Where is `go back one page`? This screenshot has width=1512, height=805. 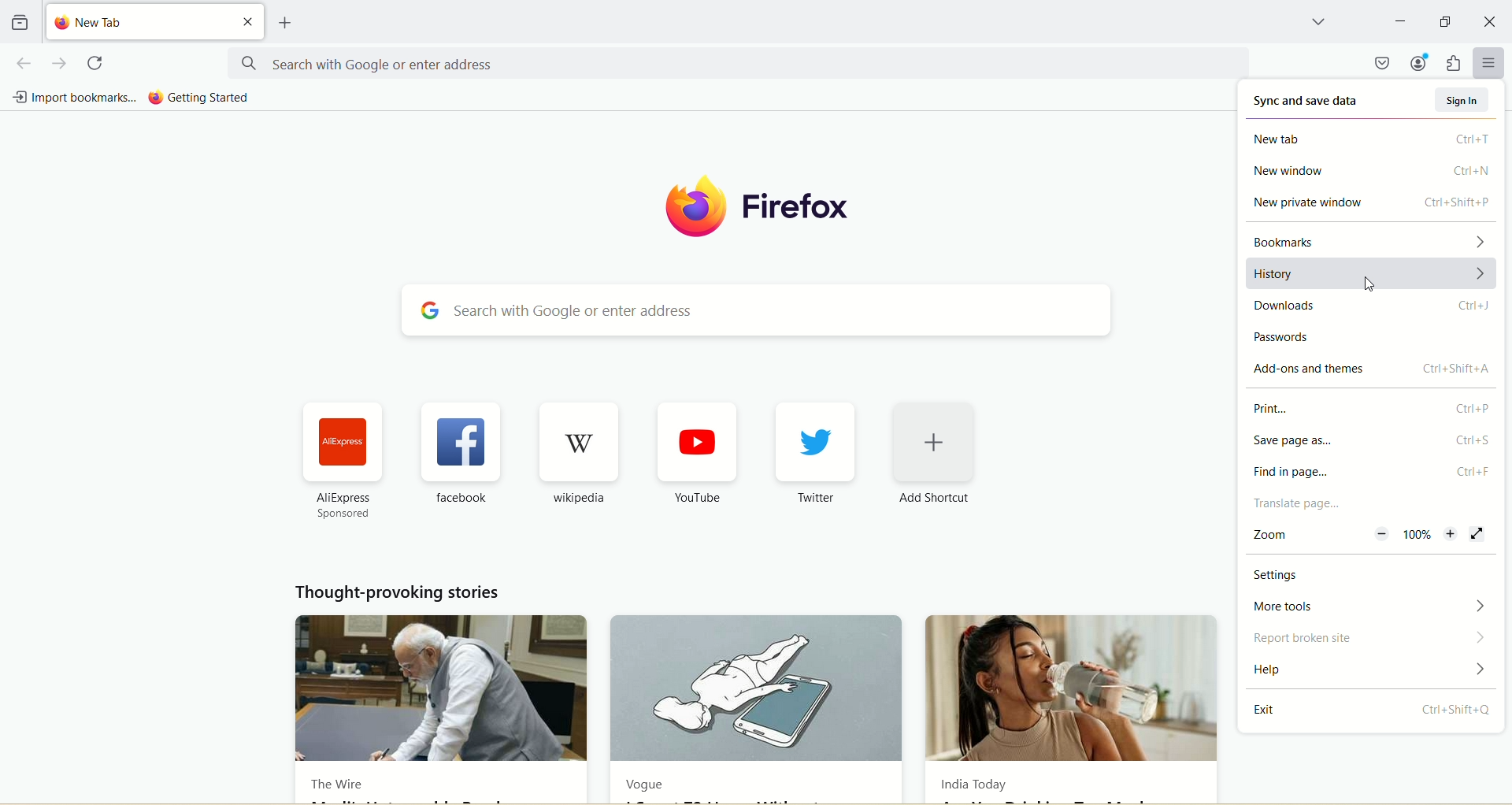 go back one page is located at coordinates (25, 63).